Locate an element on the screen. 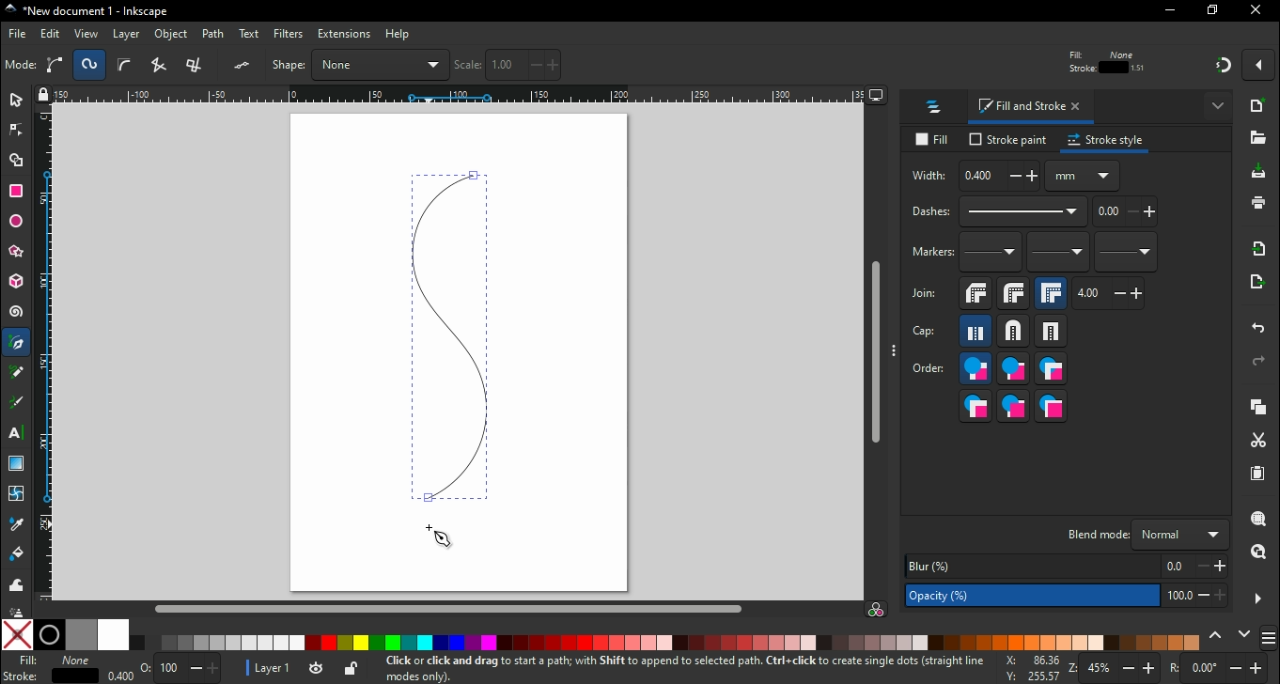 The height and width of the screenshot is (684, 1280). shortcuts and notifications is located at coordinates (679, 667).